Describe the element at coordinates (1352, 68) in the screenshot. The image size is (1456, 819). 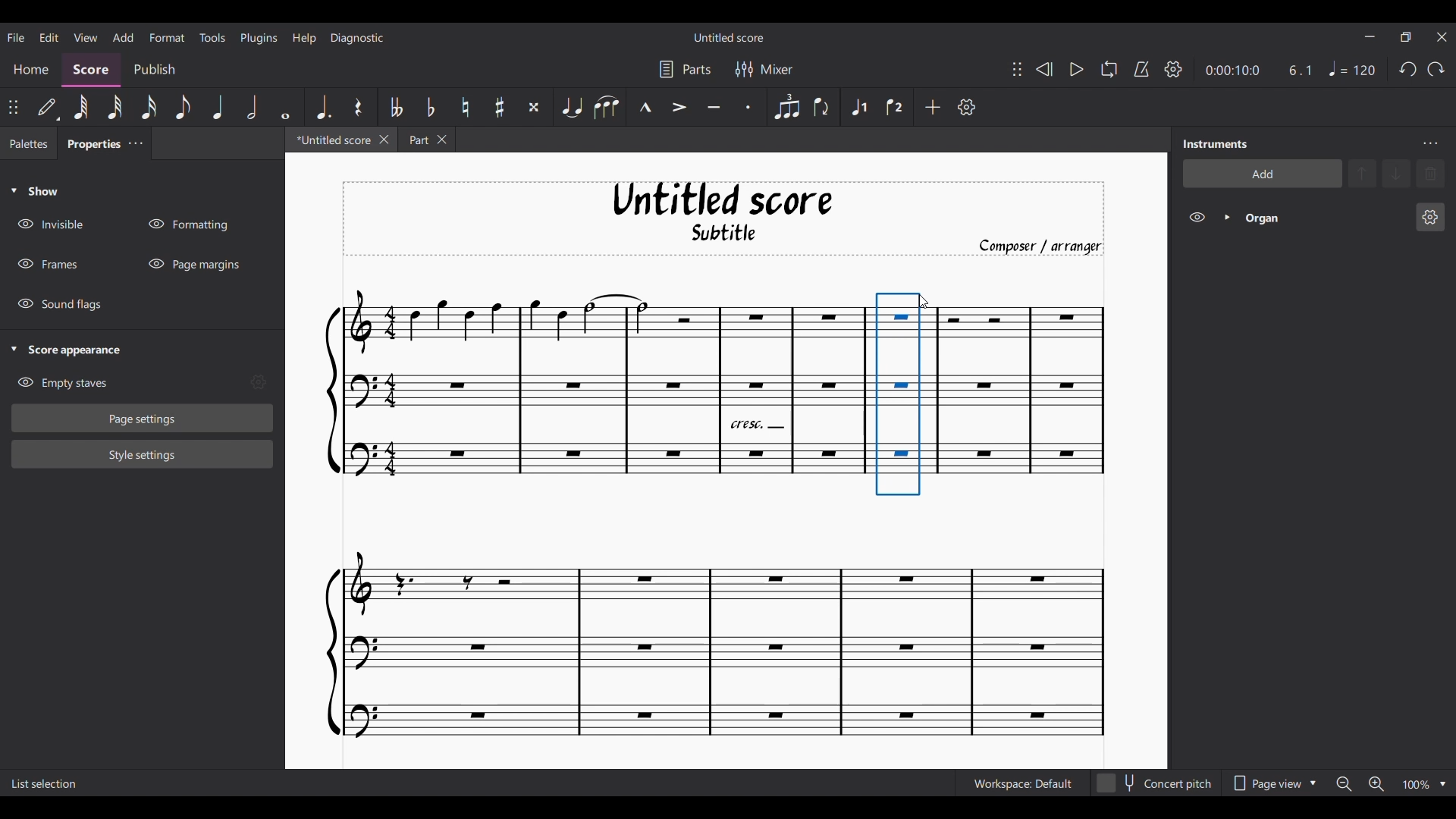
I see `Tempo` at that location.